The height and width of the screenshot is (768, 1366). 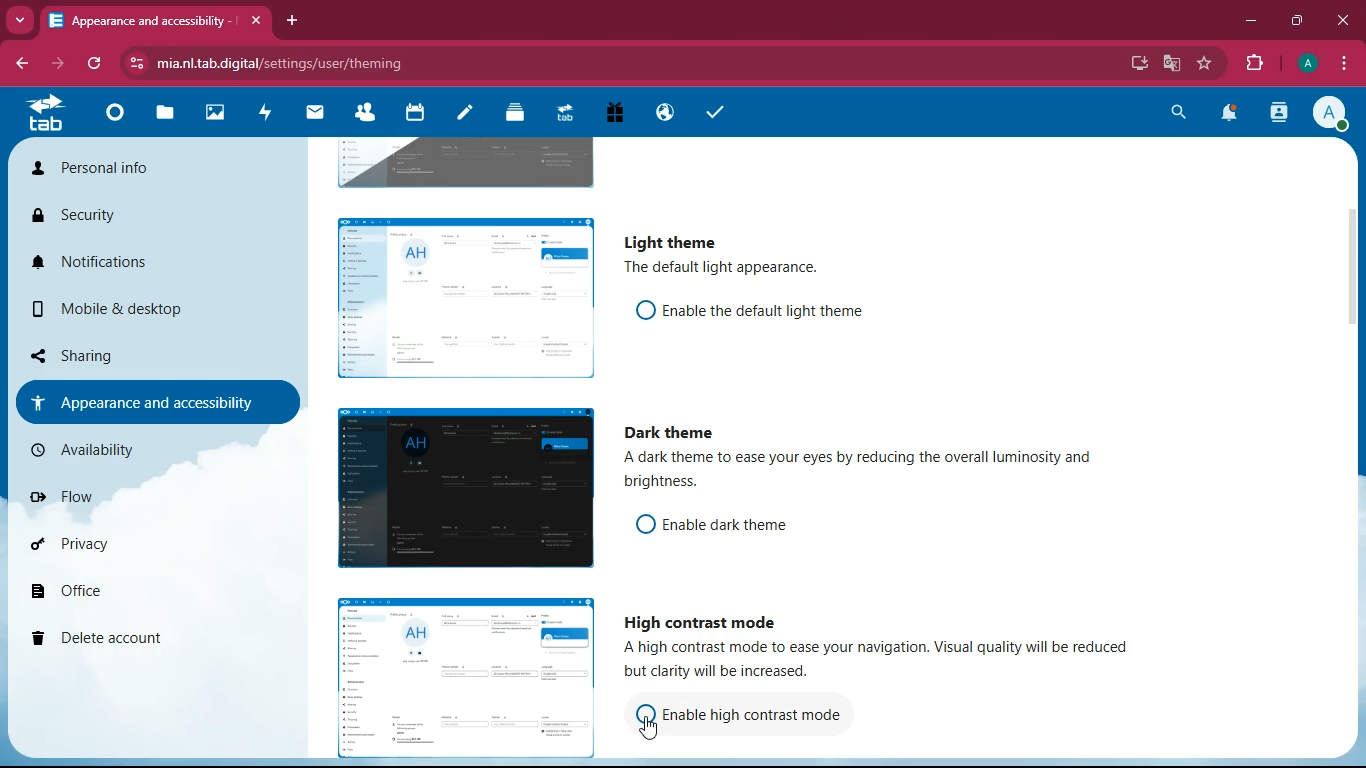 I want to click on light theme, so click(x=667, y=241).